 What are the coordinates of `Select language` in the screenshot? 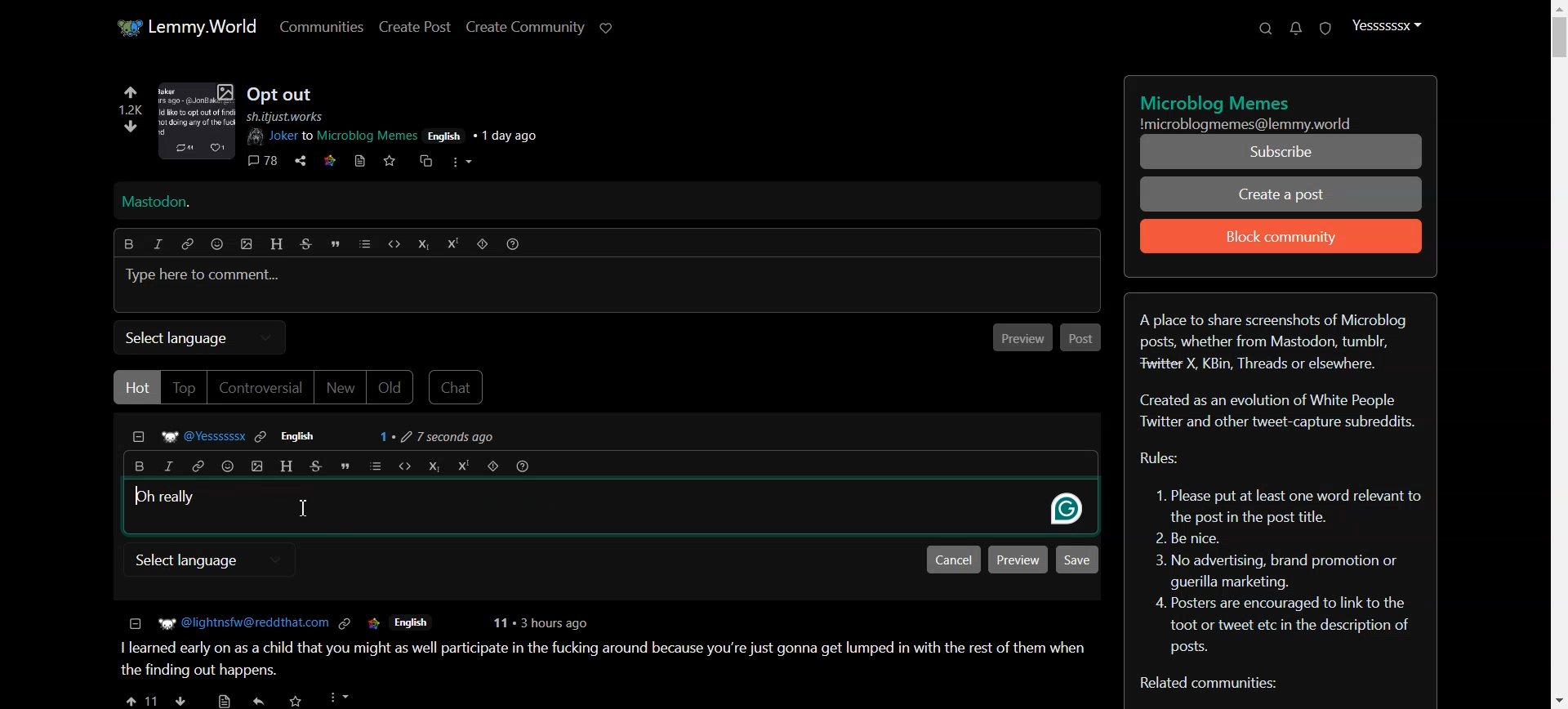 It's located at (201, 336).